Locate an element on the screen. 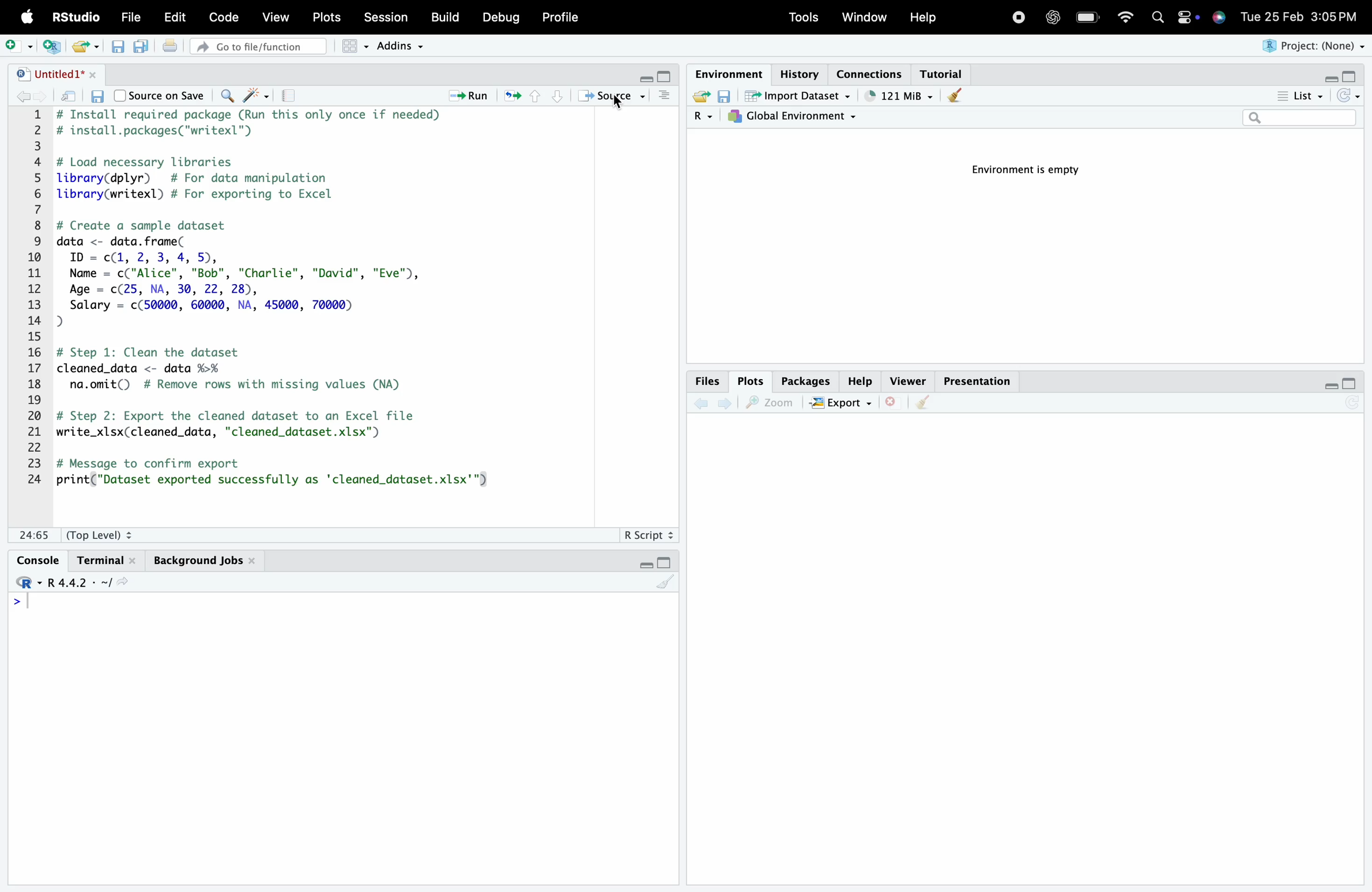  Go to previous section/chunk (Ctrl + PgUp) is located at coordinates (536, 97).